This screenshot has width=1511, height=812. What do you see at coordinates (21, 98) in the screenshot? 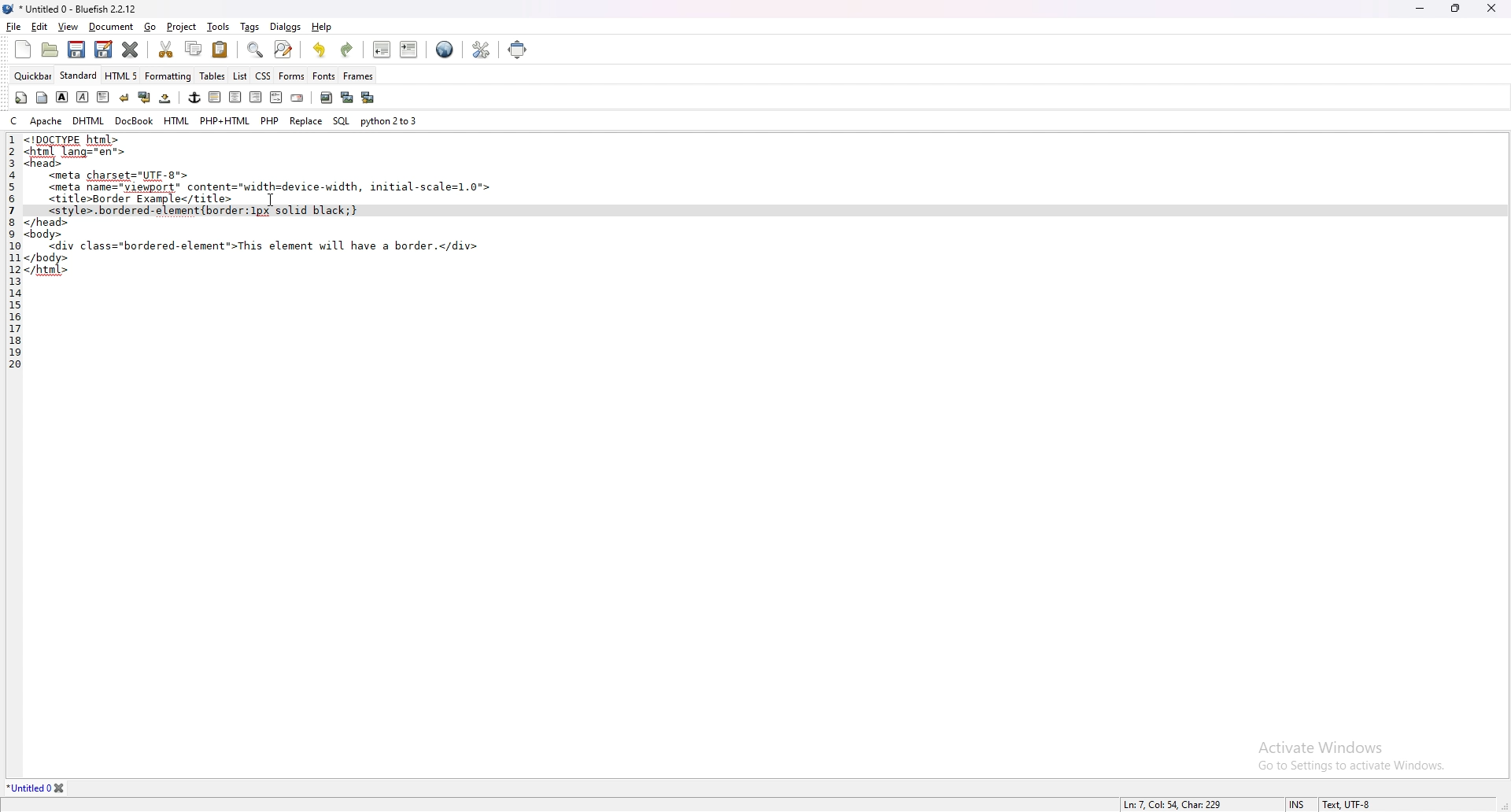
I see `quickstart` at bounding box center [21, 98].